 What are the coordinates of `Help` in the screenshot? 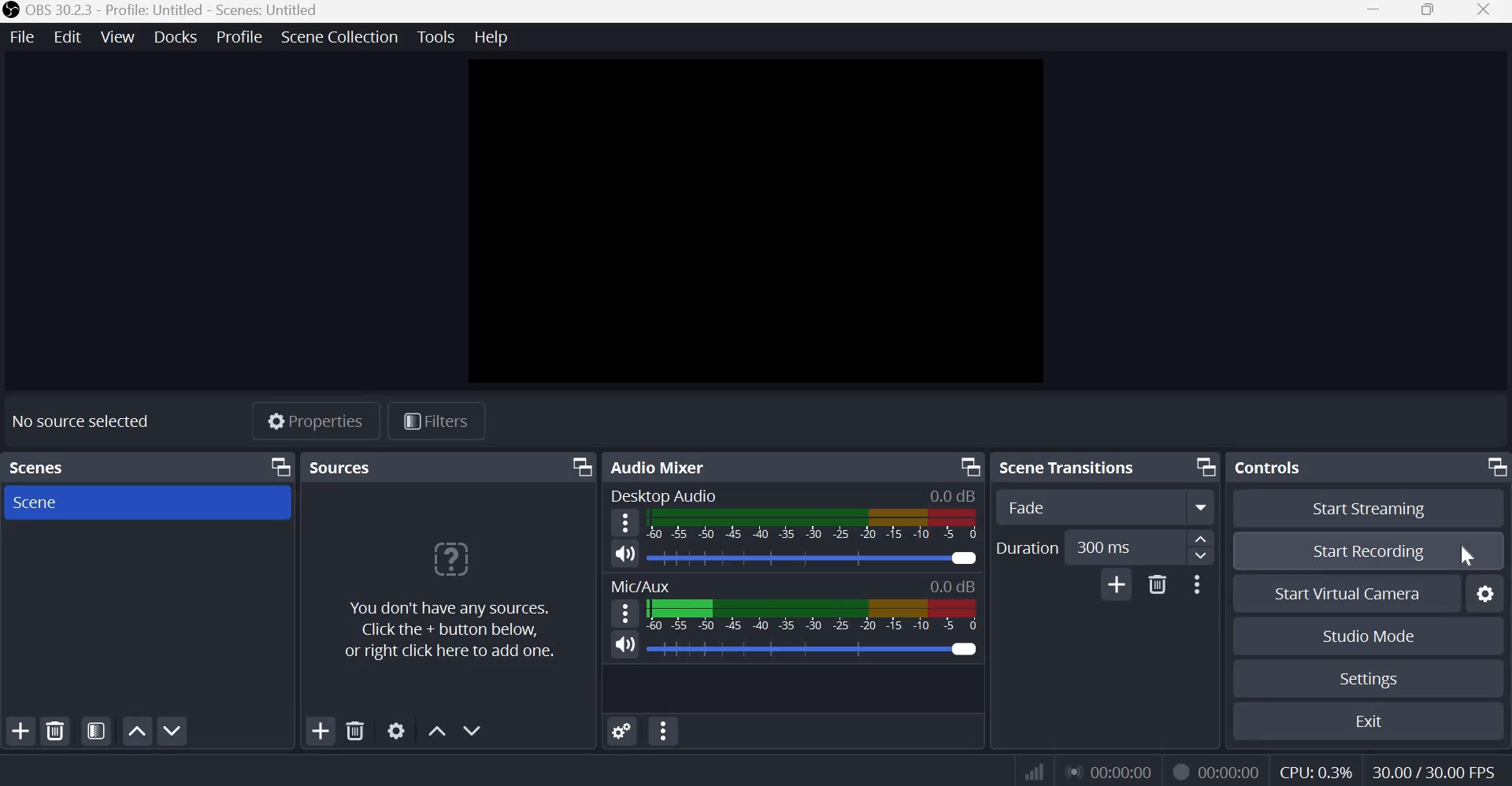 It's located at (491, 35).